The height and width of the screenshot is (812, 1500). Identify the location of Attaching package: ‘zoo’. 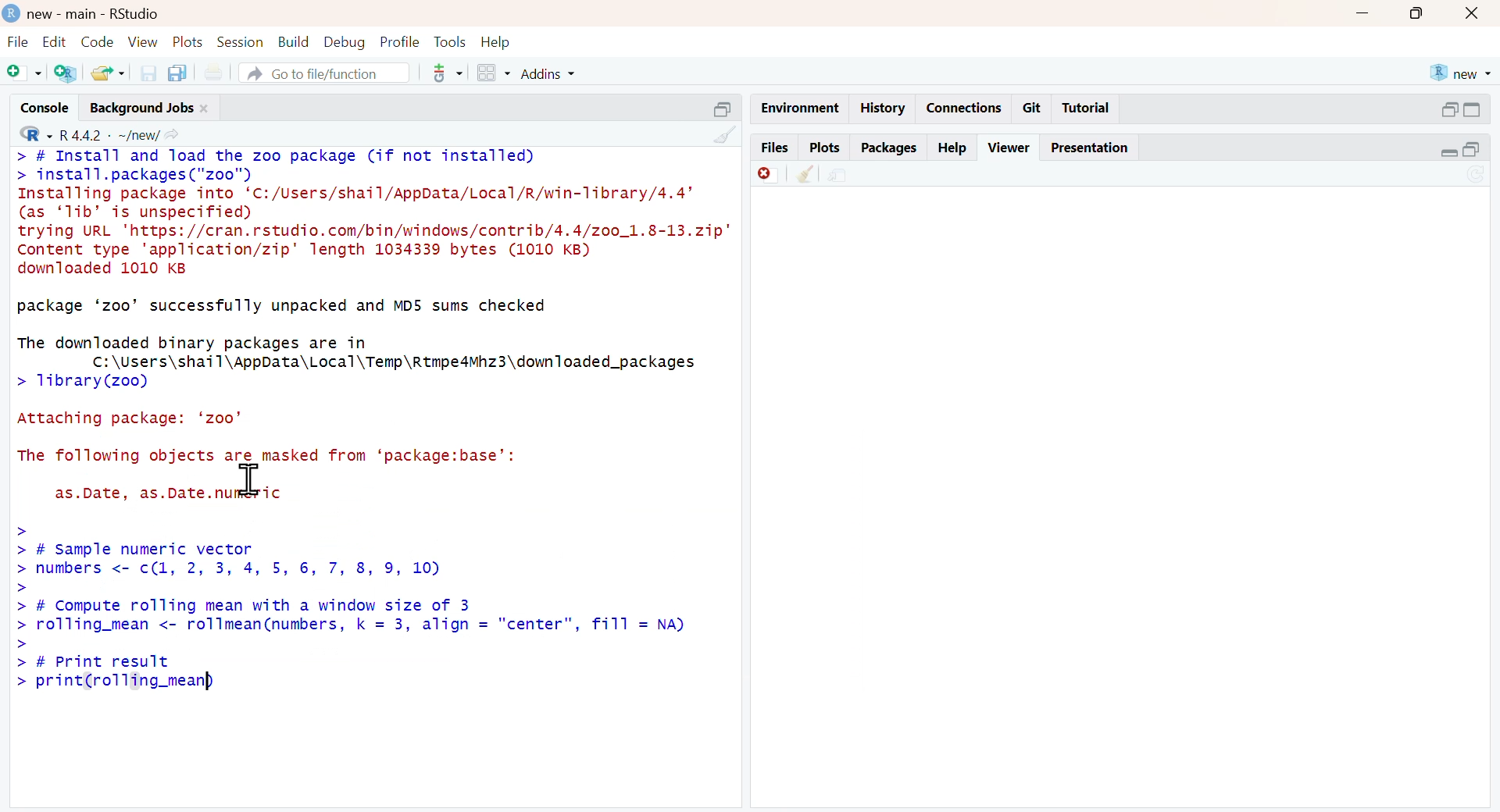
(130, 418).